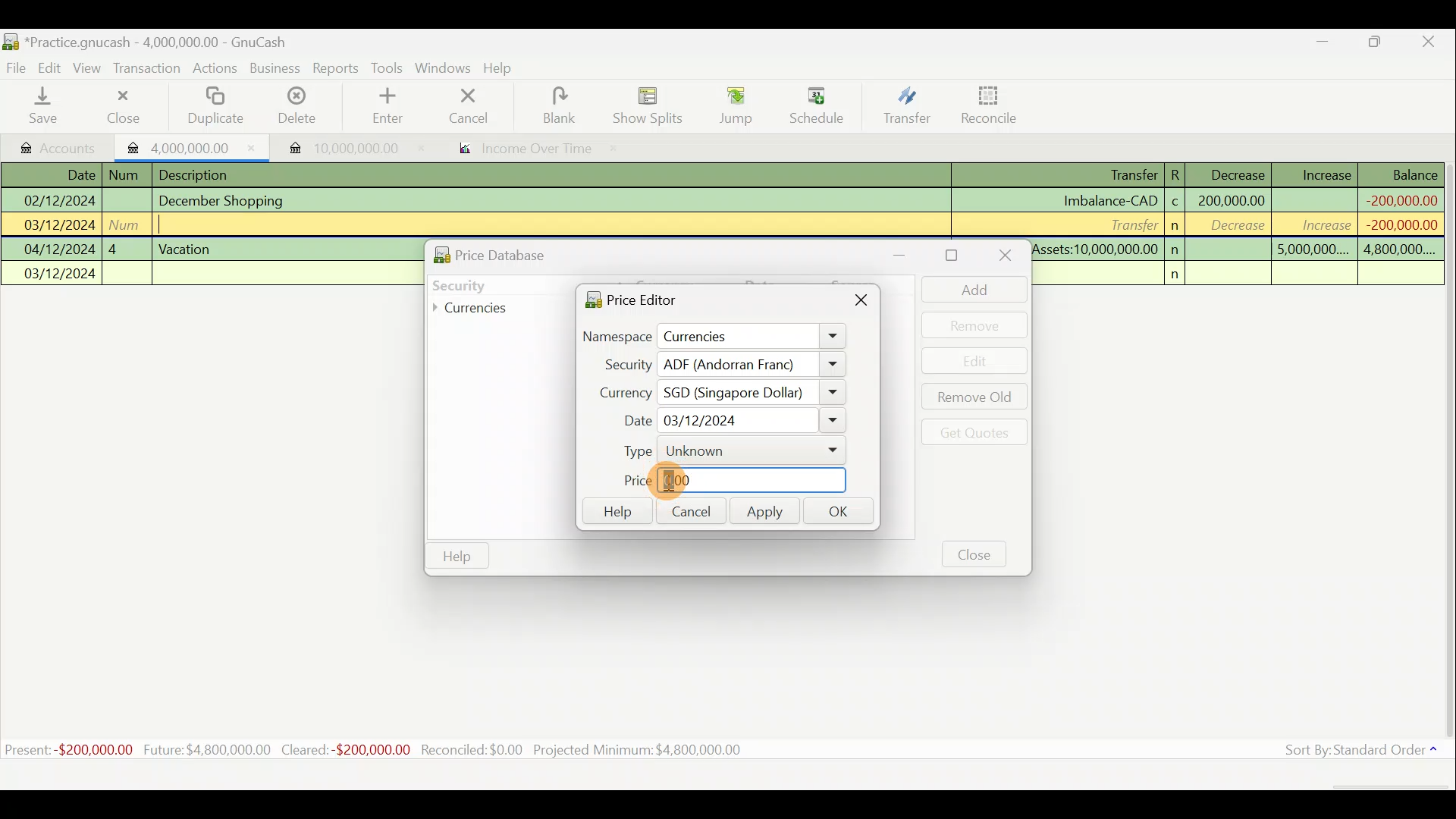 Image resolution: width=1456 pixels, height=819 pixels. Describe the element at coordinates (60, 249) in the screenshot. I see `04/12/2024` at that location.